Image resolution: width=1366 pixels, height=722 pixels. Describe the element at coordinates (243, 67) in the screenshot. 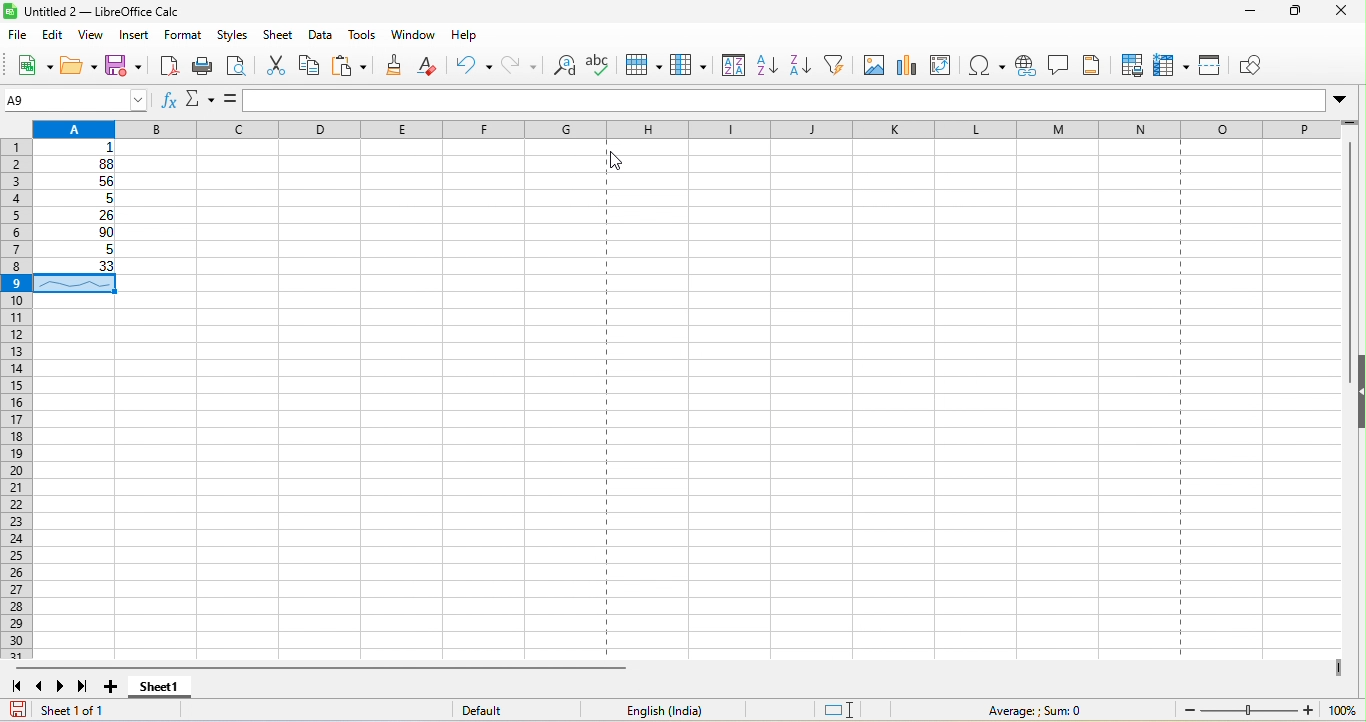

I see `print preview` at that location.